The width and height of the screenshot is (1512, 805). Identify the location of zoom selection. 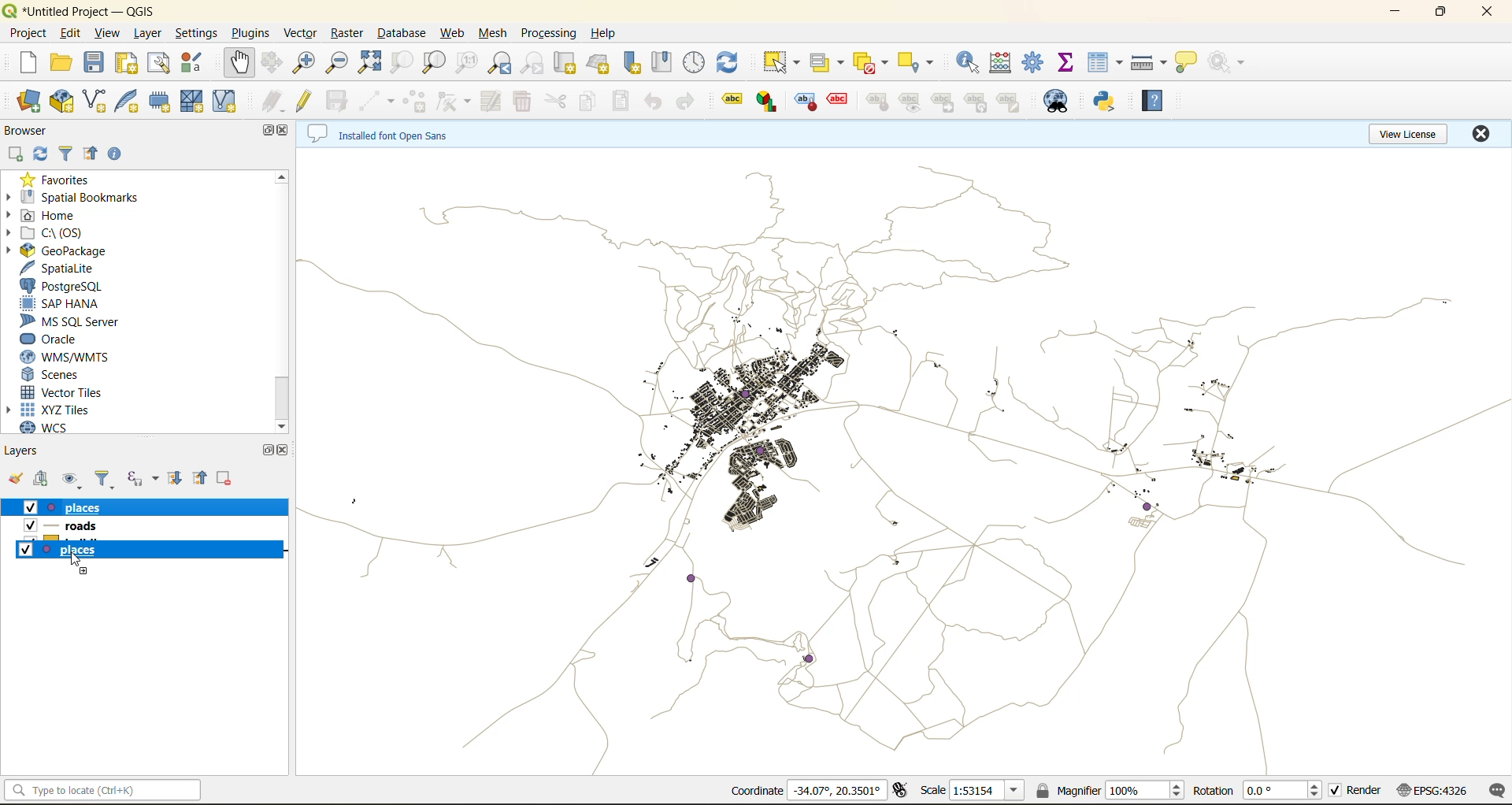
(402, 63).